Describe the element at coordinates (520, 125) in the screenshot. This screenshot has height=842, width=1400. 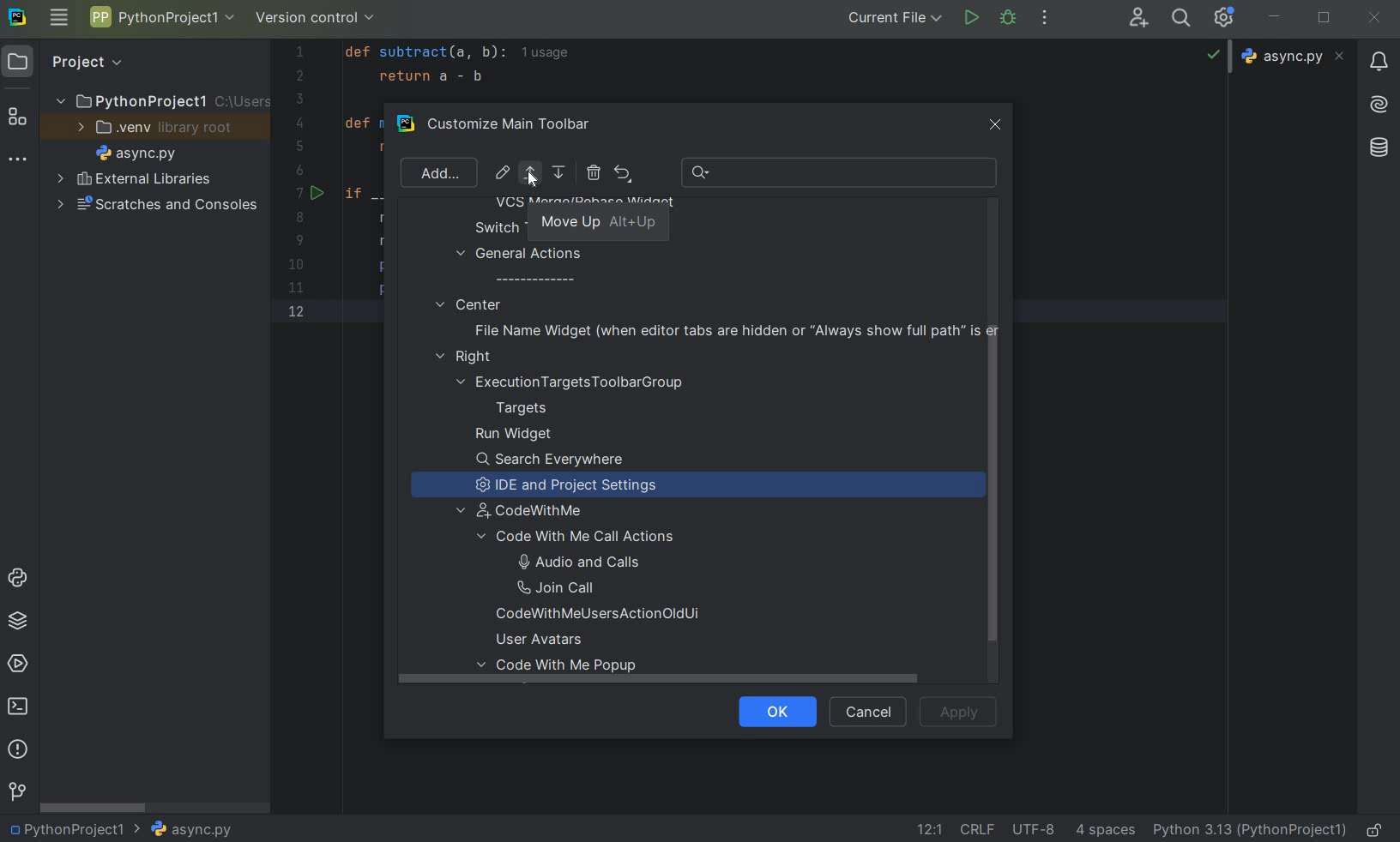
I see `CUSTOMIZE MAIN TOOLBAR` at that location.